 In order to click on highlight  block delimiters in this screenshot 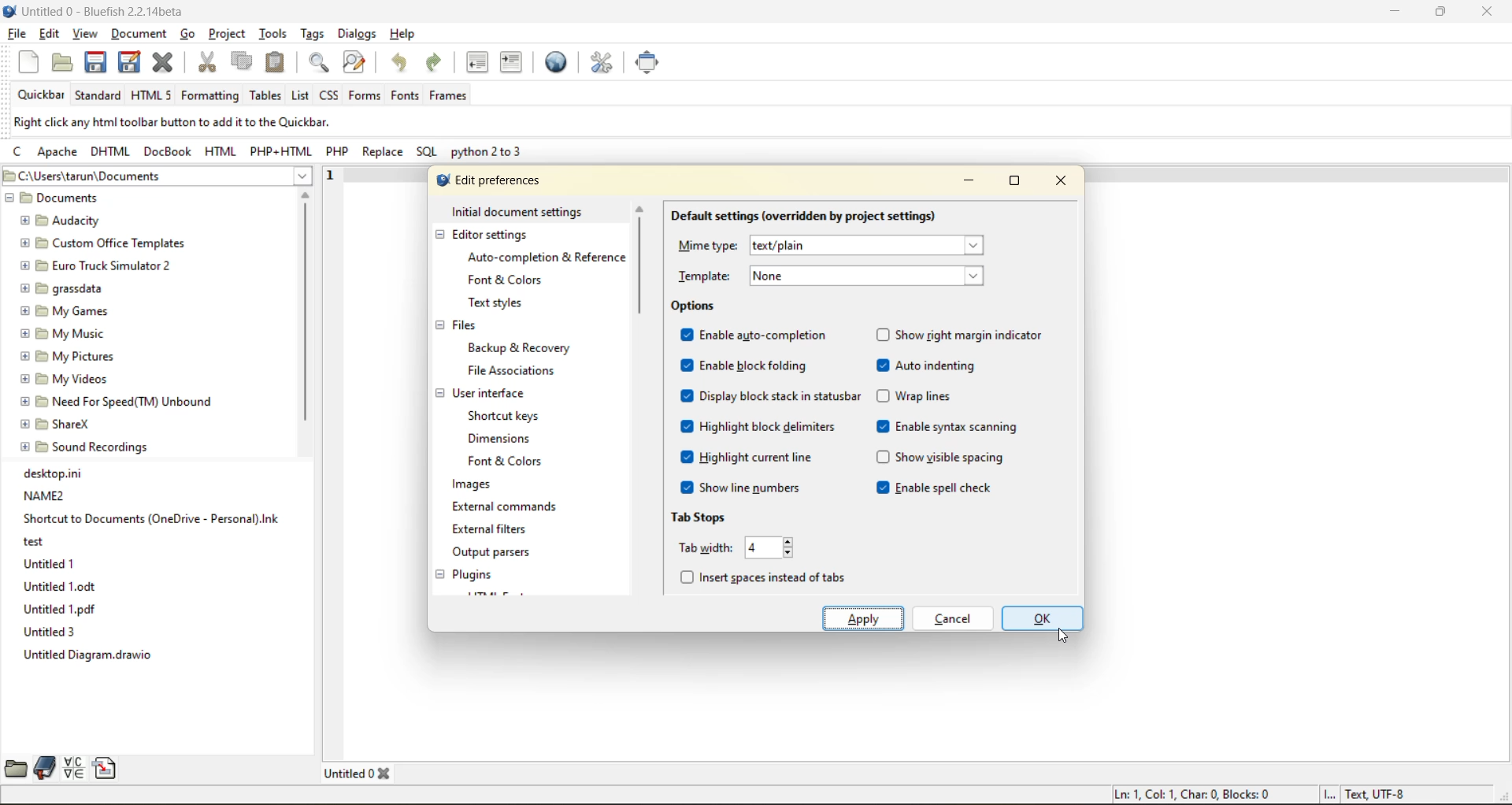, I will do `click(758, 427)`.